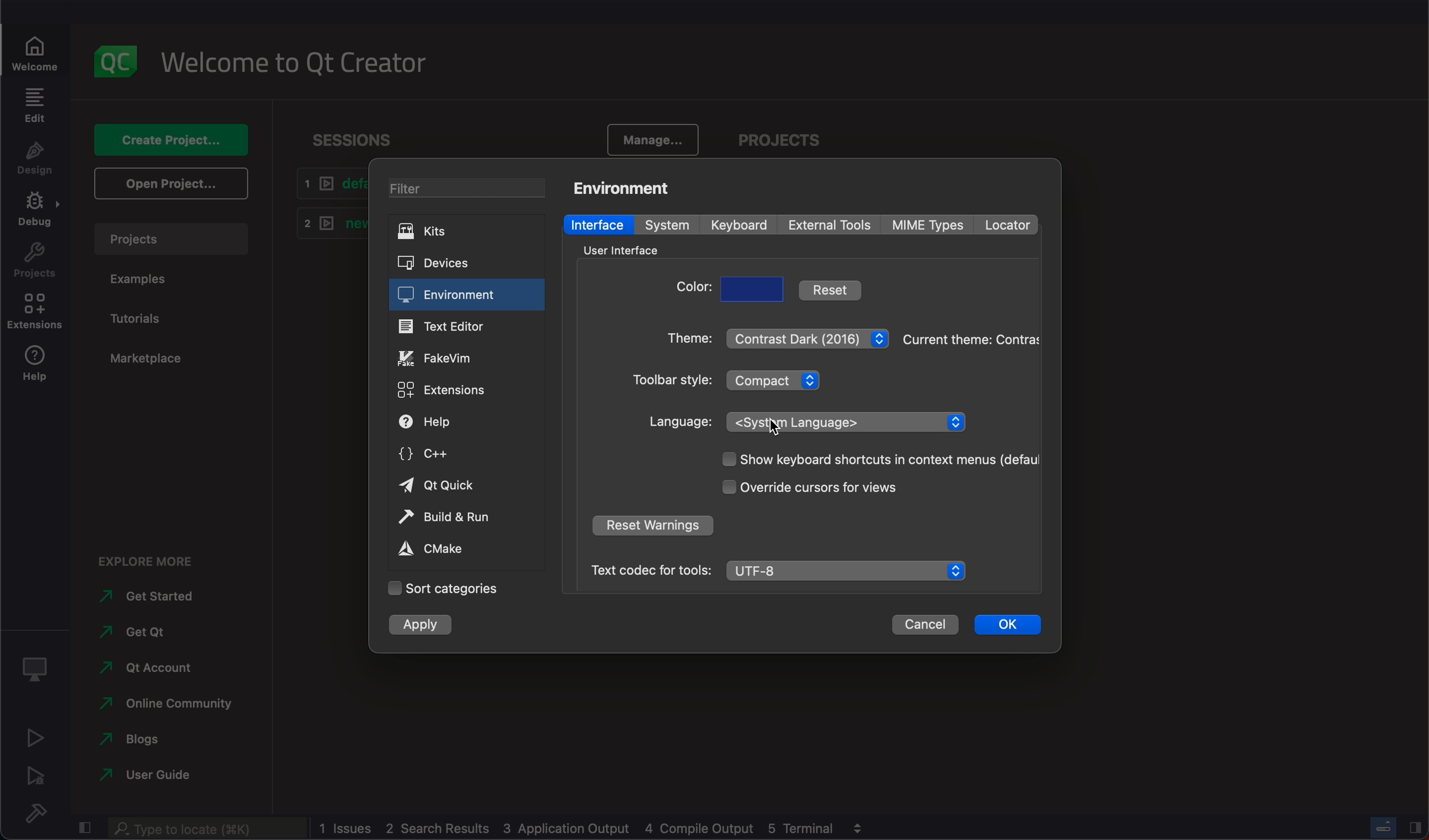 This screenshot has height=840, width=1429. What do you see at coordinates (645, 570) in the screenshot?
I see `Text codec for tools` at bounding box center [645, 570].